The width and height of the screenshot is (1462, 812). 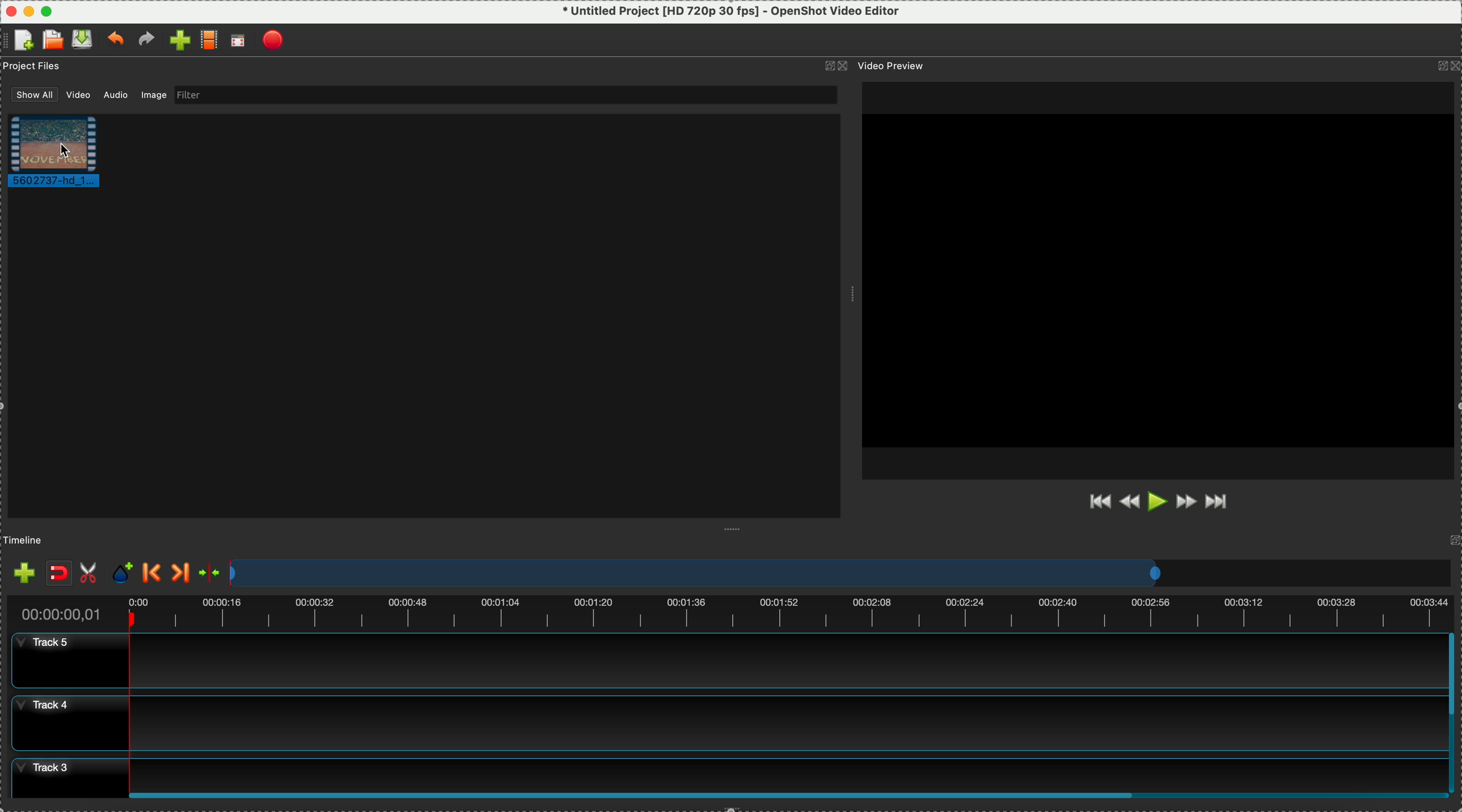 I want to click on add mark, so click(x=125, y=573).